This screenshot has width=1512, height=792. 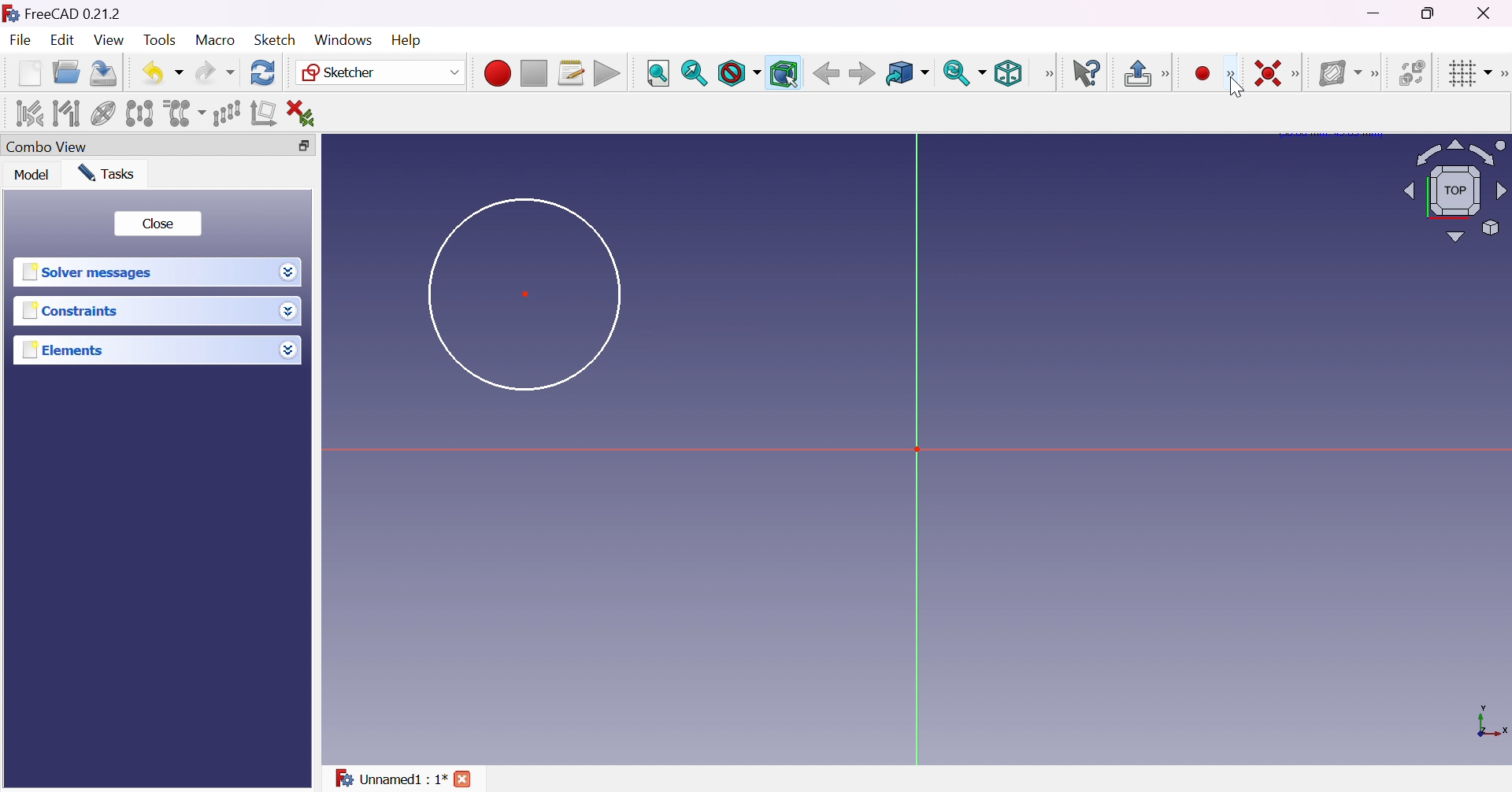 What do you see at coordinates (30, 72) in the screenshot?
I see `New` at bounding box center [30, 72].